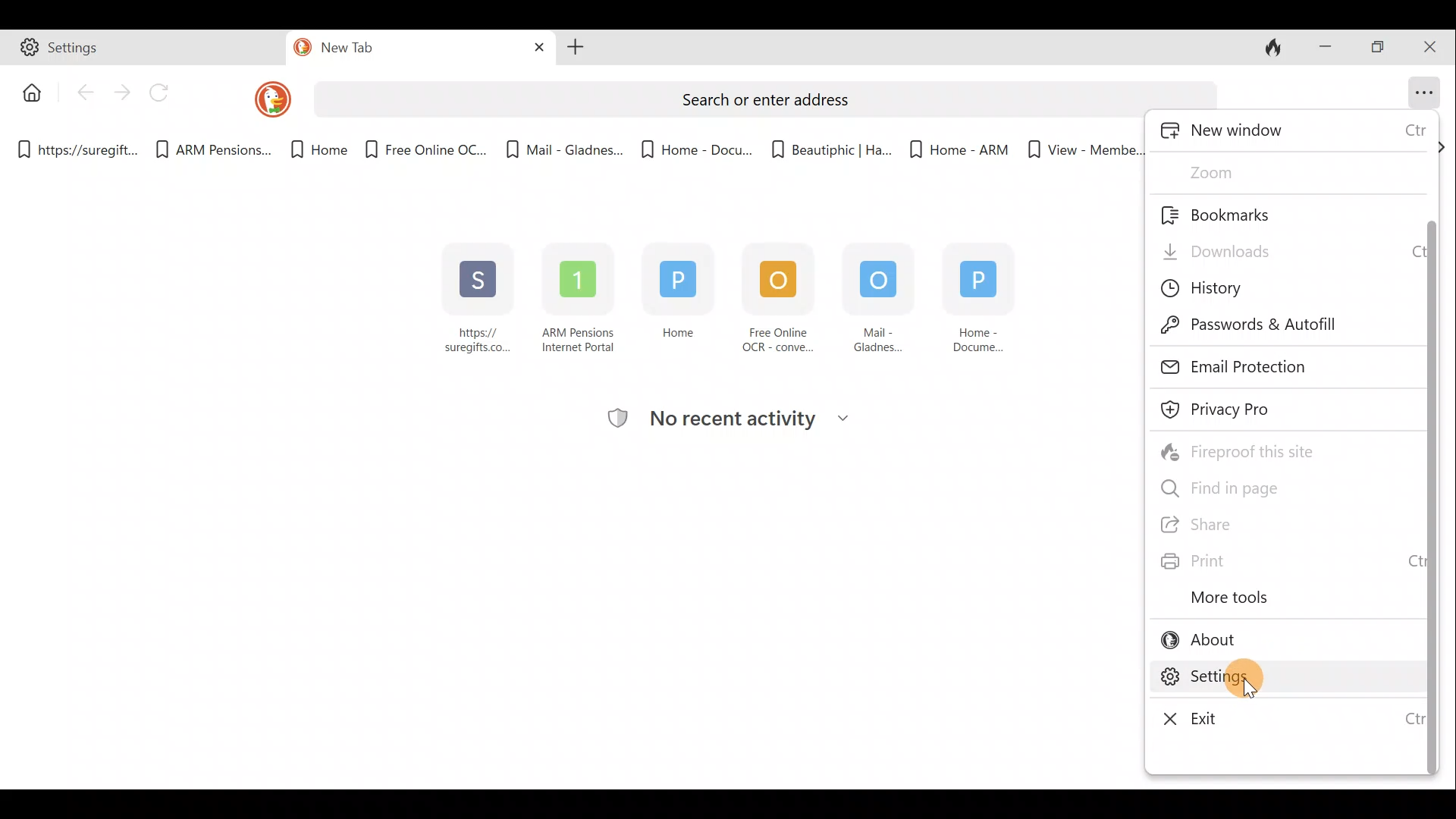 The height and width of the screenshot is (819, 1456). What do you see at coordinates (1429, 47) in the screenshot?
I see `Close` at bounding box center [1429, 47].